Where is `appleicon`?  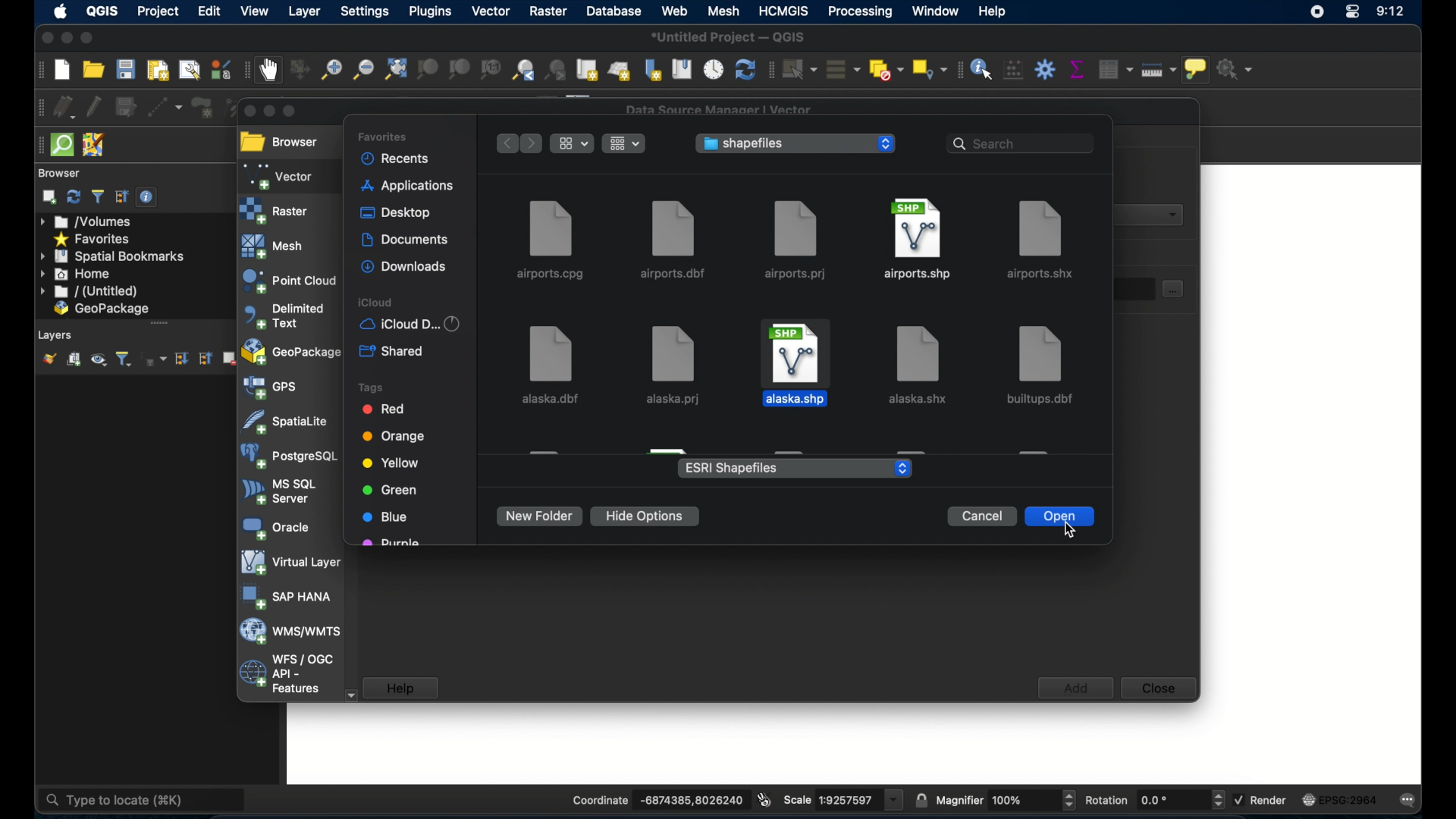
appleicon is located at coordinates (61, 12).